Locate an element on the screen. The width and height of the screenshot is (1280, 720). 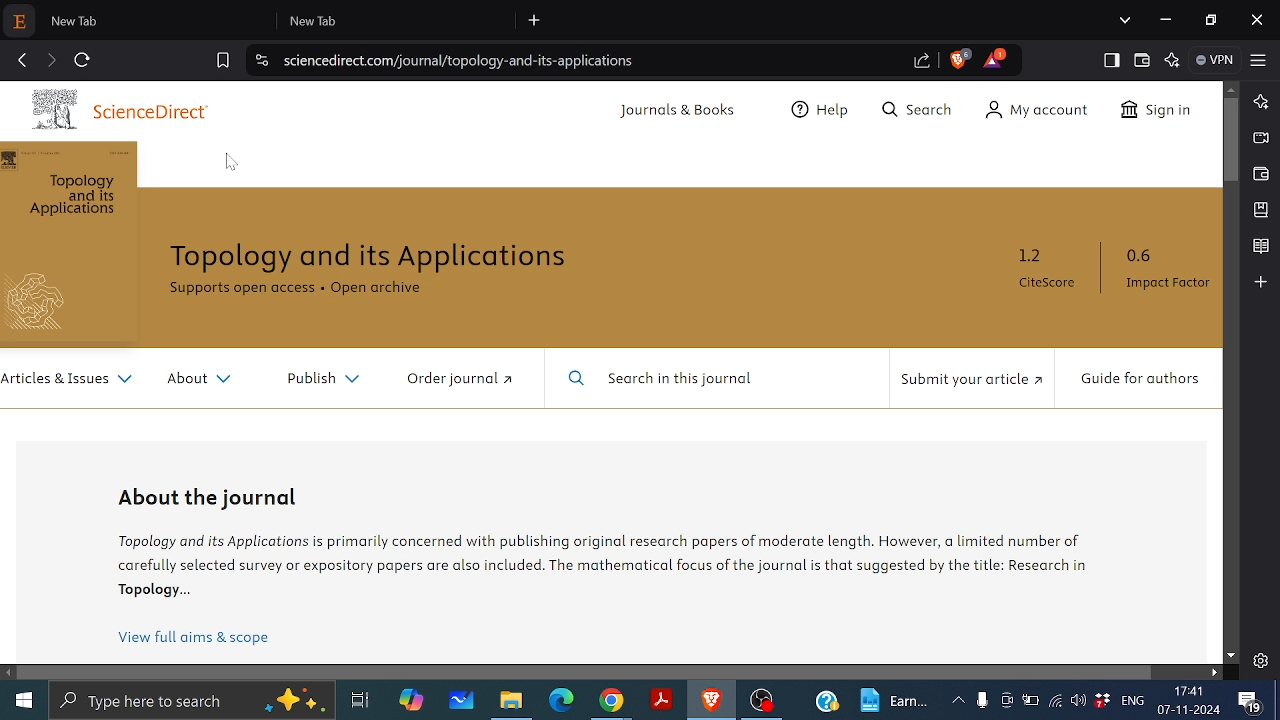
Brave browser is located at coordinates (711, 701).